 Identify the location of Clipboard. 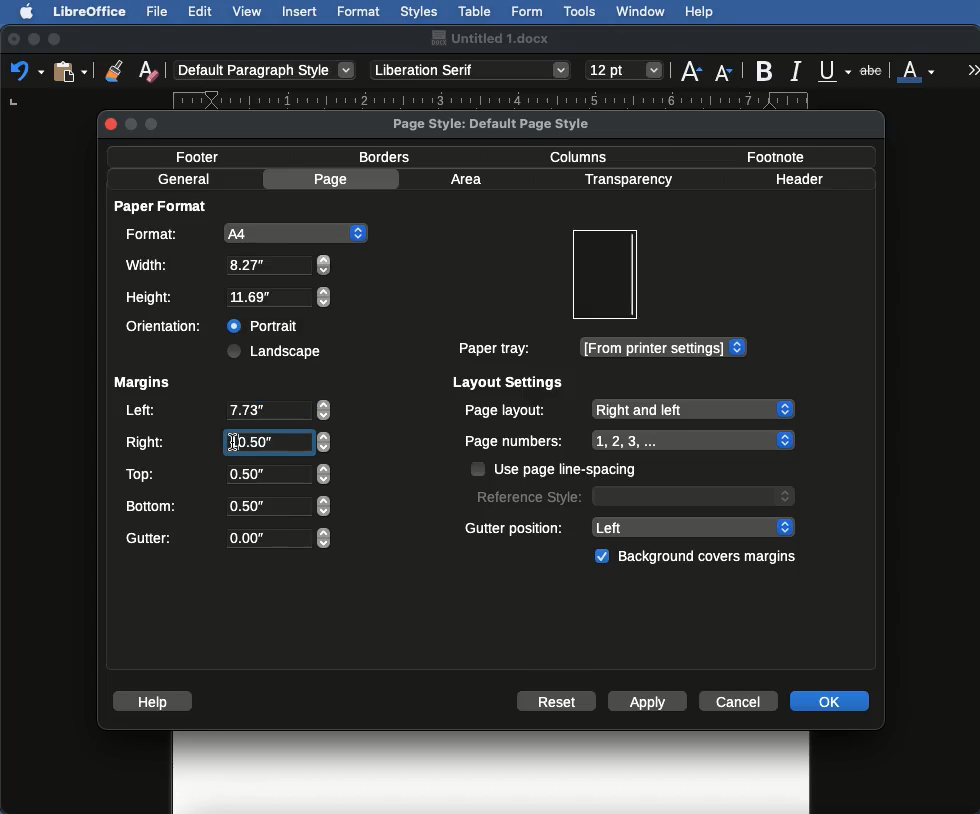
(70, 70).